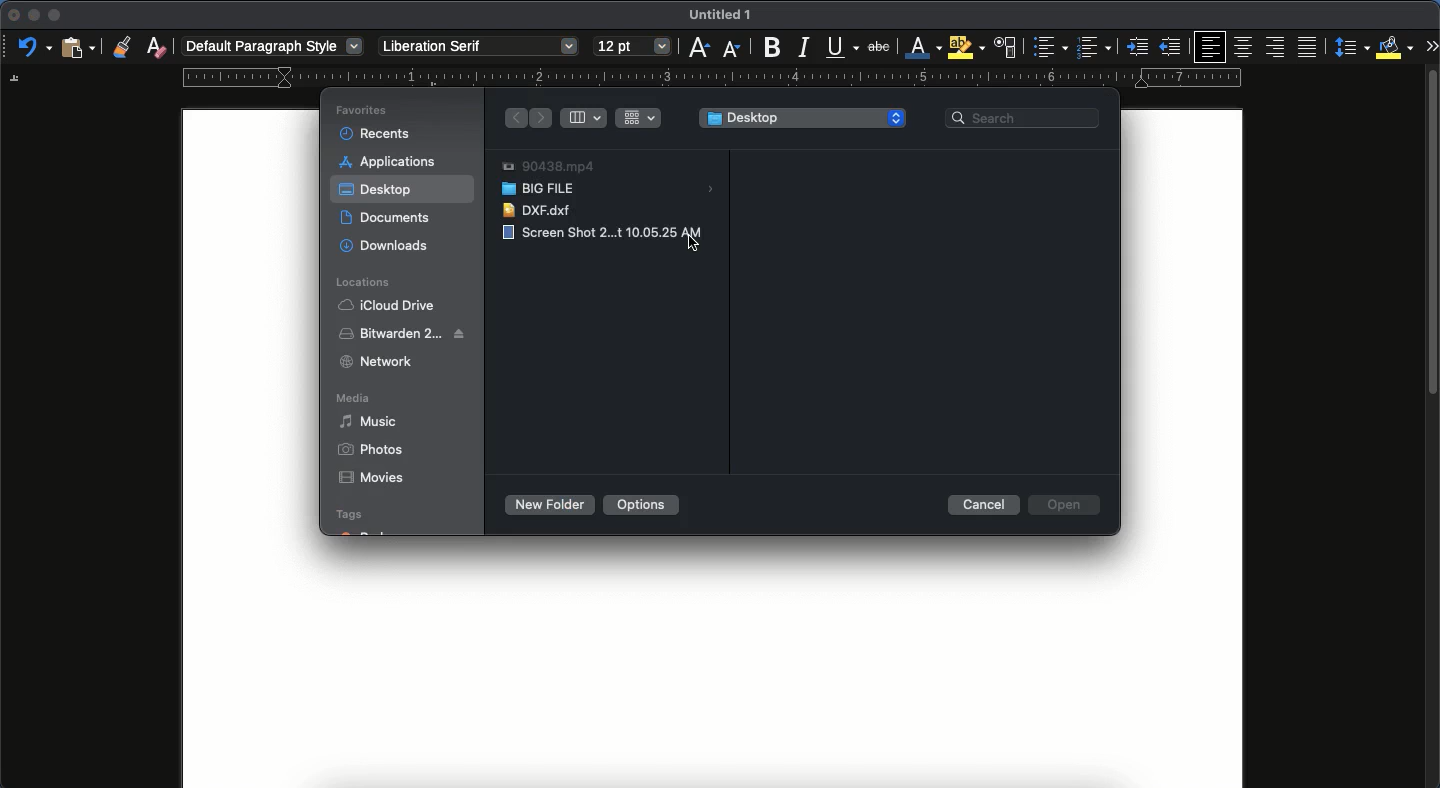  What do you see at coordinates (697, 48) in the screenshot?
I see `increase size` at bounding box center [697, 48].